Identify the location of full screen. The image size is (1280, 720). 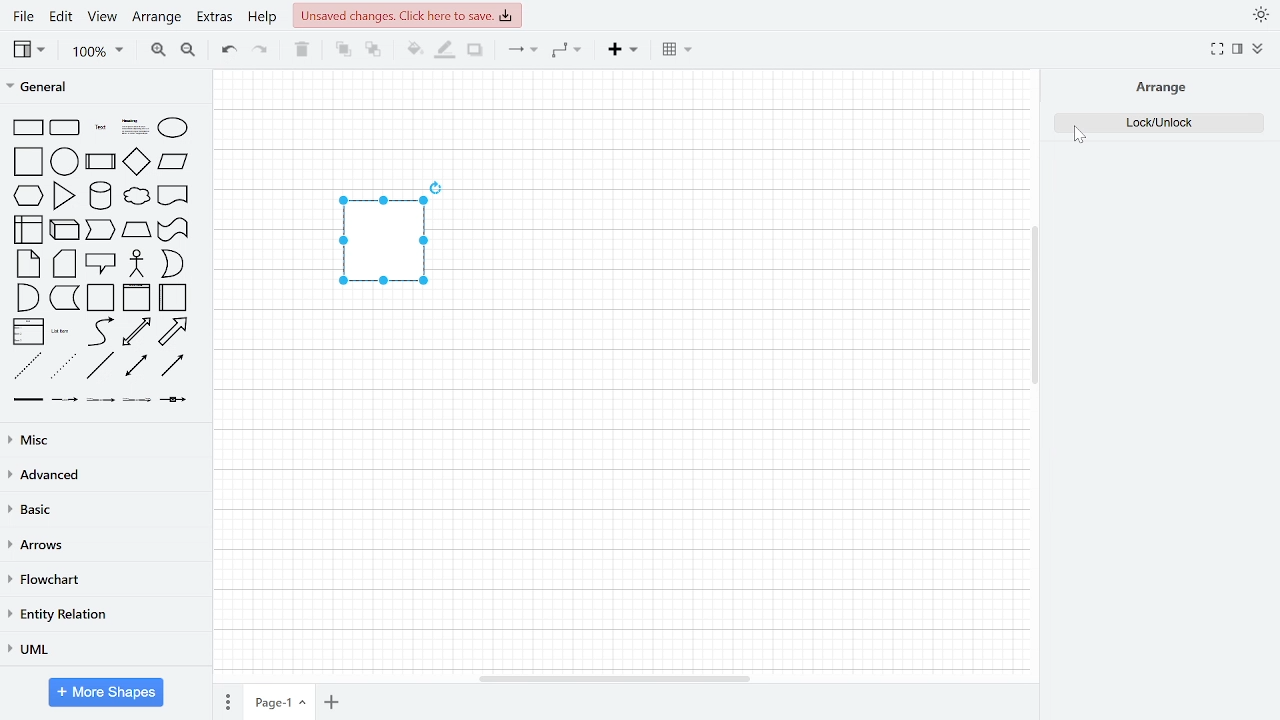
(1218, 49).